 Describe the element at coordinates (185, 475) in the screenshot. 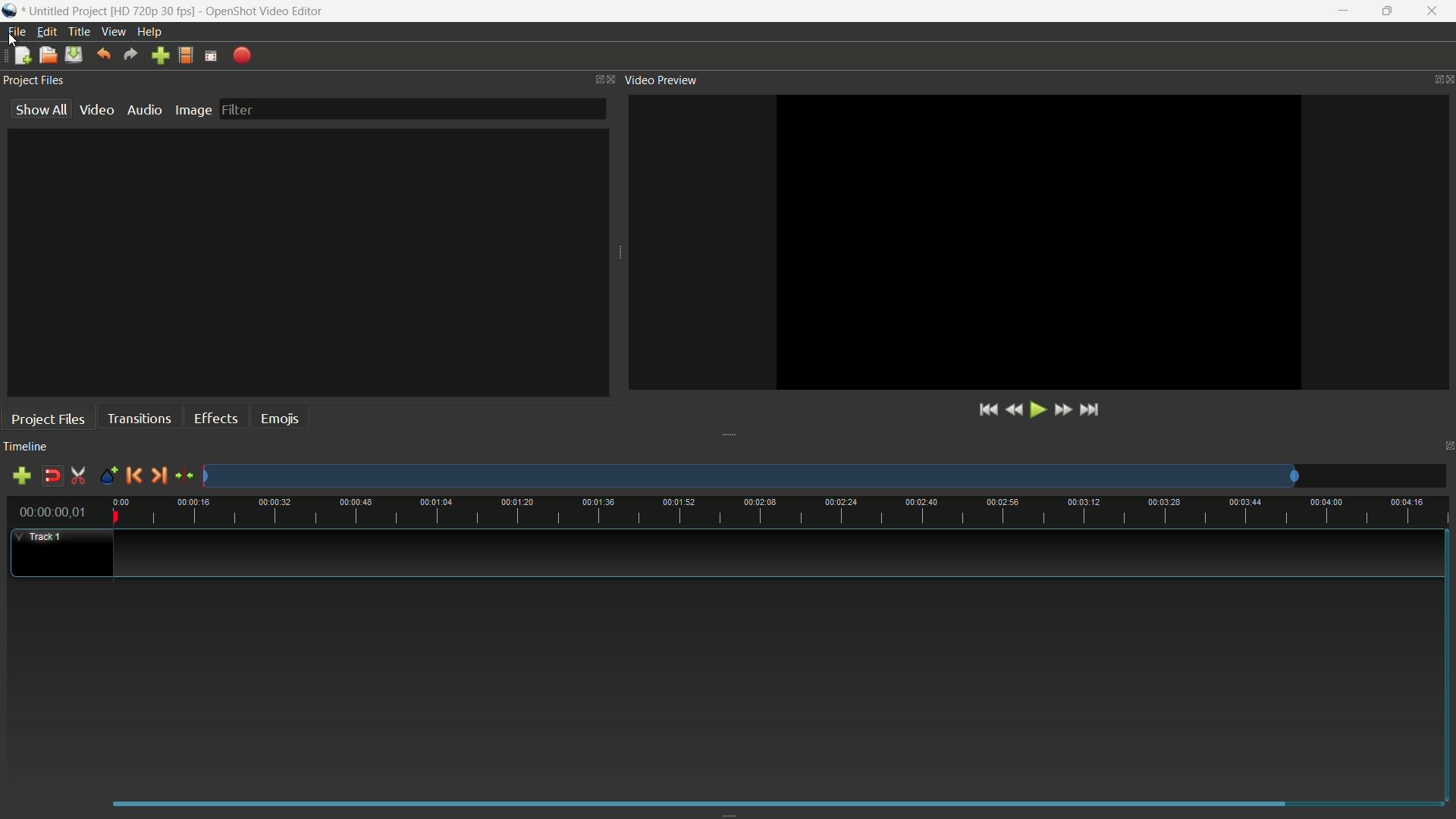

I see `center the timeline on the playhead` at that location.